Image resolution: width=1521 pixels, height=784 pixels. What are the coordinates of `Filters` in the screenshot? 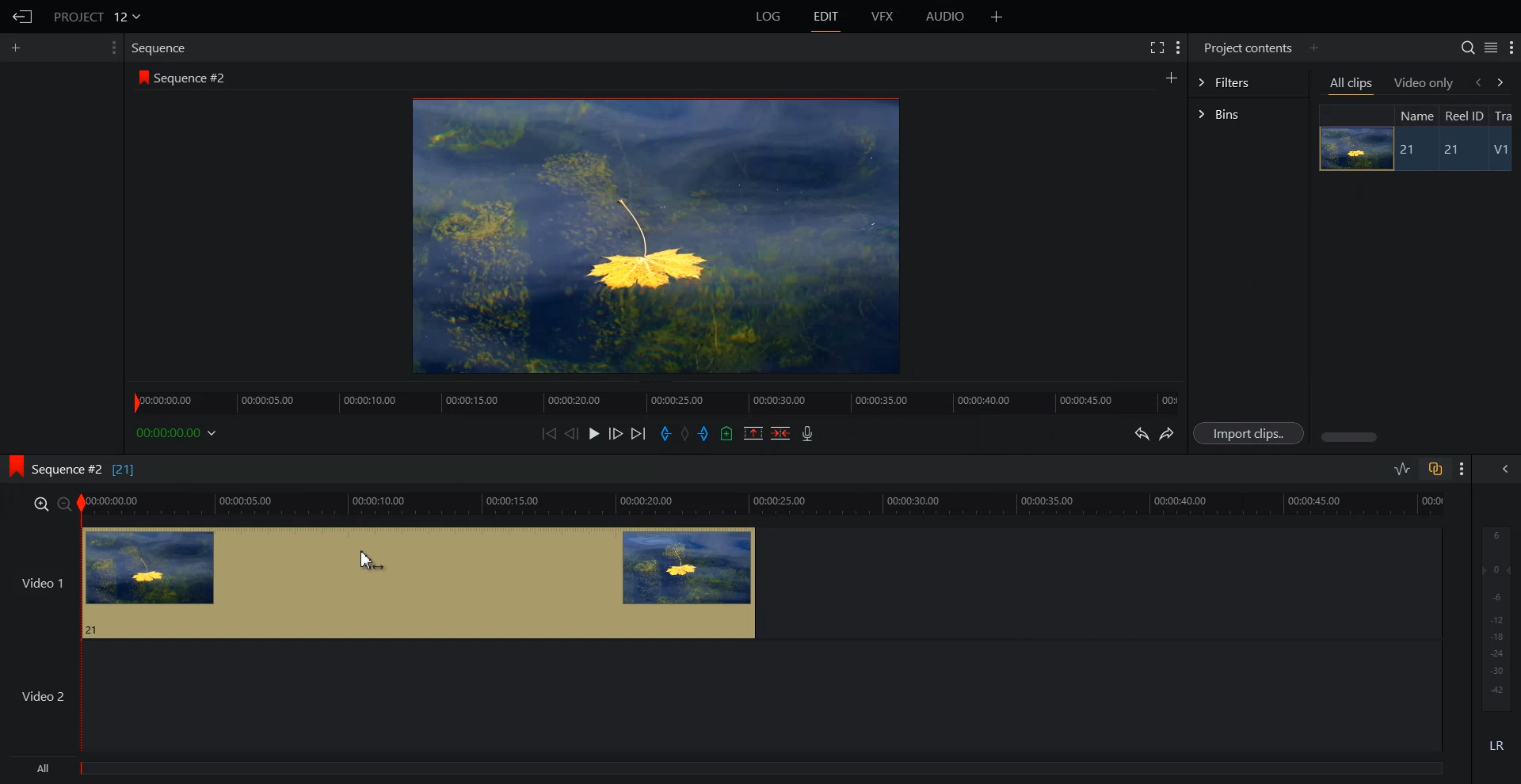 It's located at (1248, 81).